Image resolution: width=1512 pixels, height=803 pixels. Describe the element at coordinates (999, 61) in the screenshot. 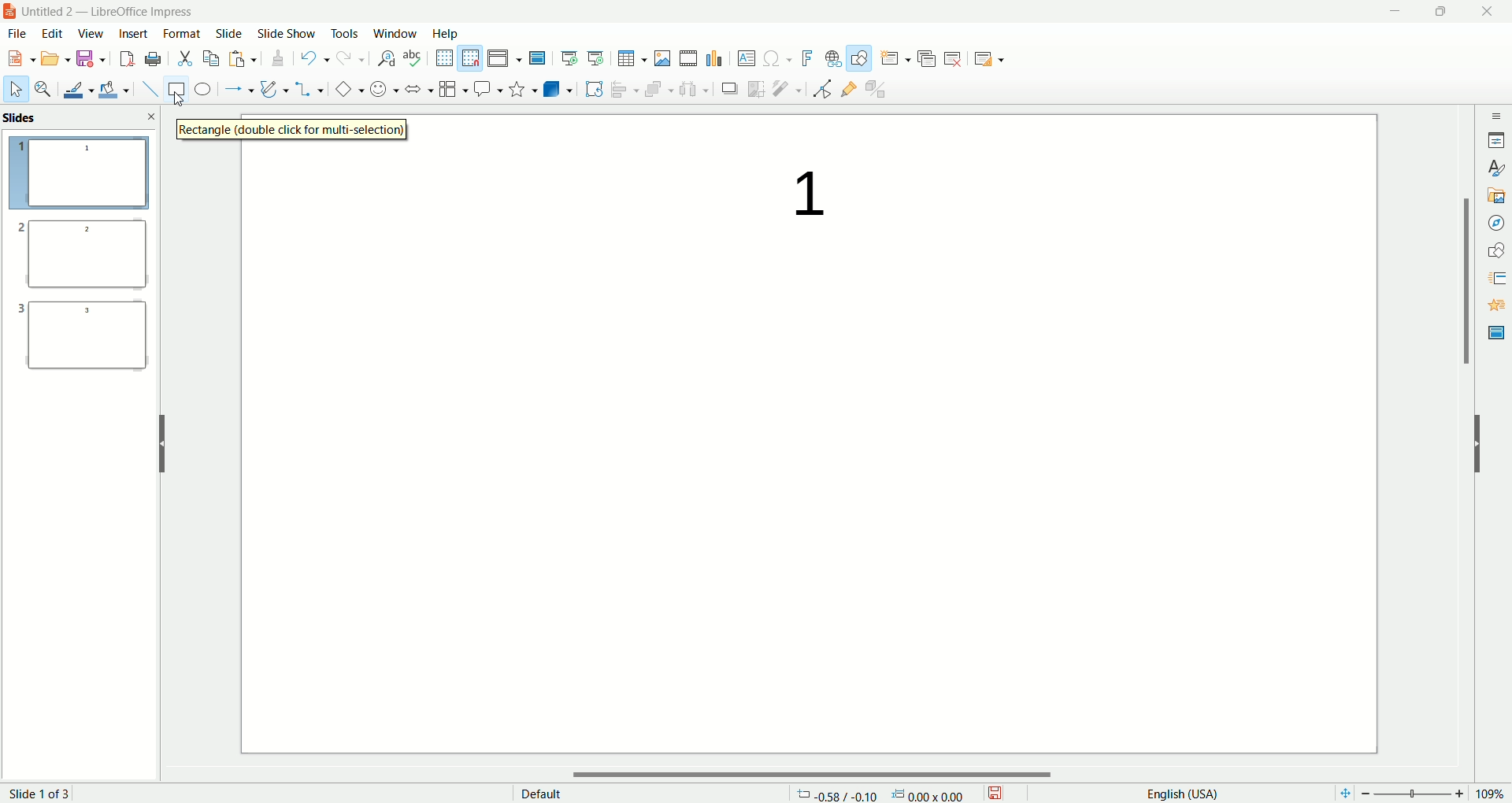

I see `slide layout` at that location.